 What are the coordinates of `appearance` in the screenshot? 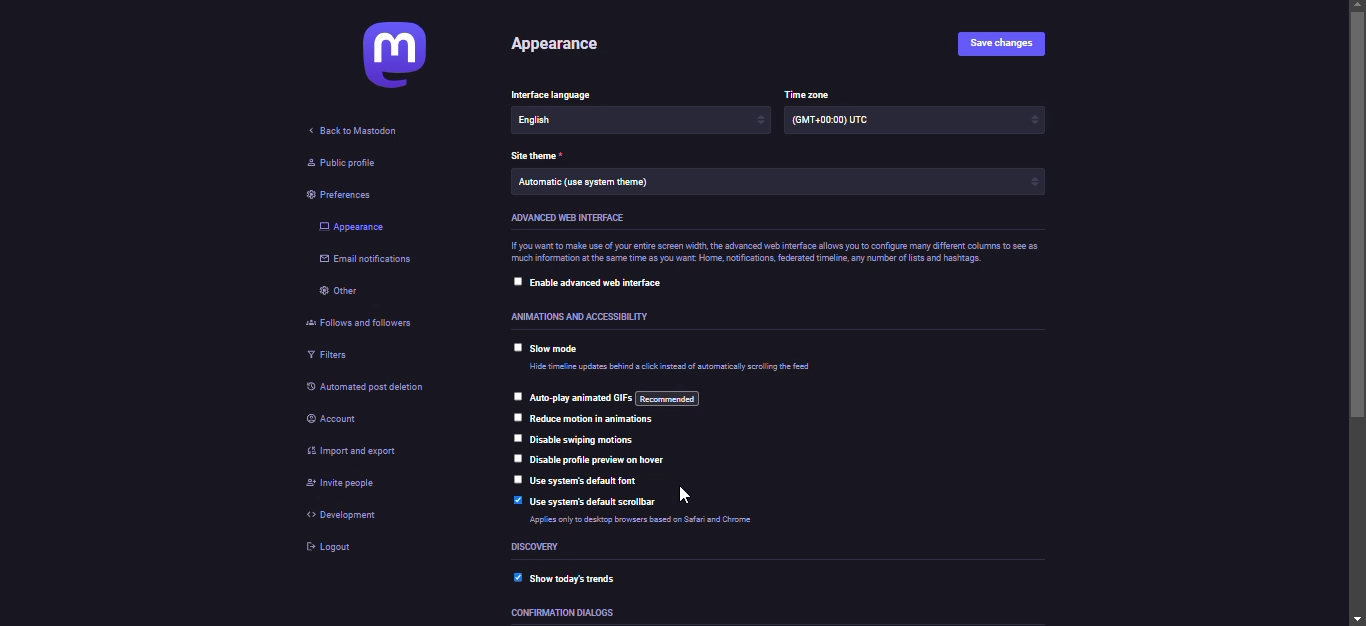 It's located at (557, 43).